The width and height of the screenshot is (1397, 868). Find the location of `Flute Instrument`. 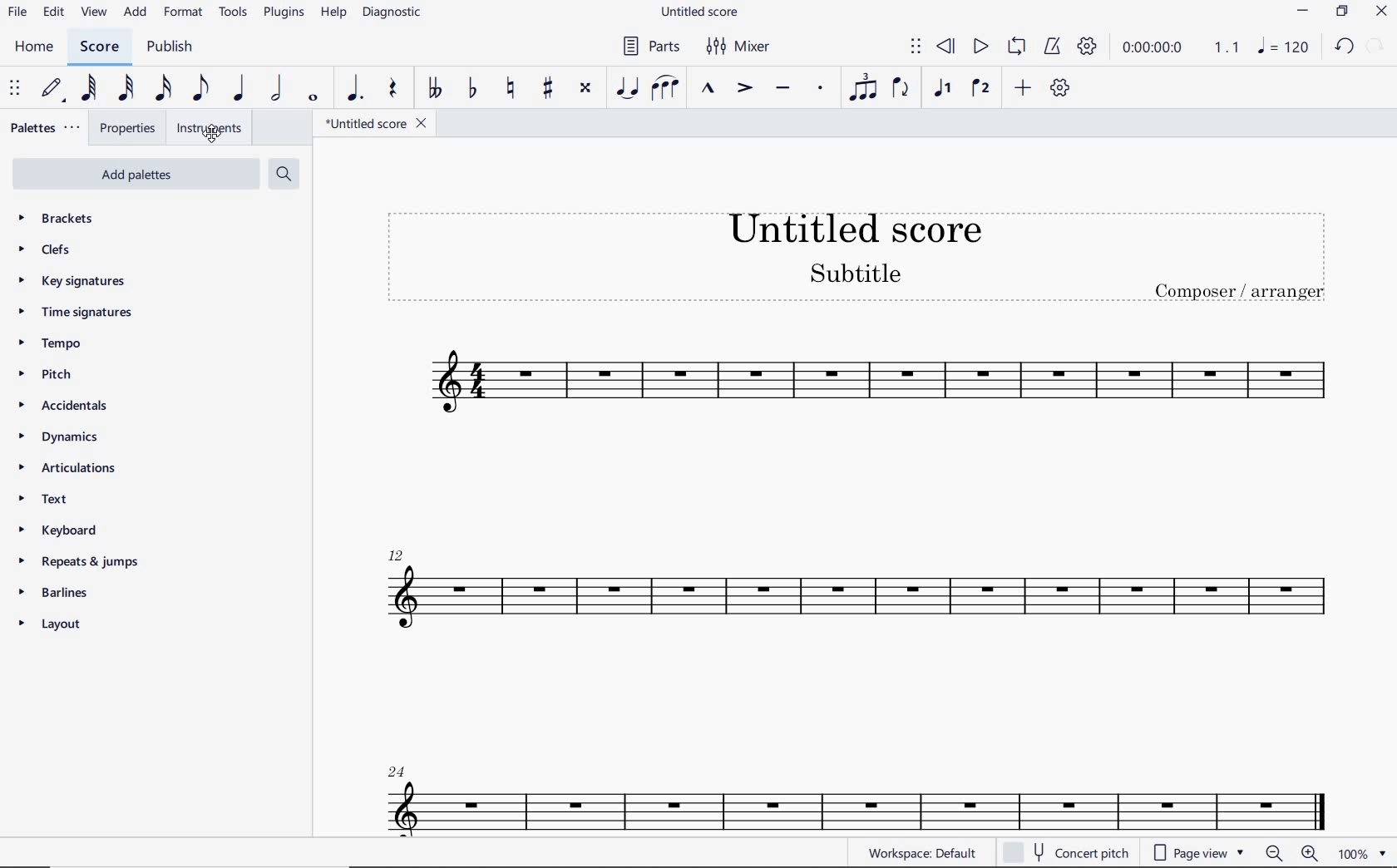

Flute Instrument is located at coordinates (850, 591).